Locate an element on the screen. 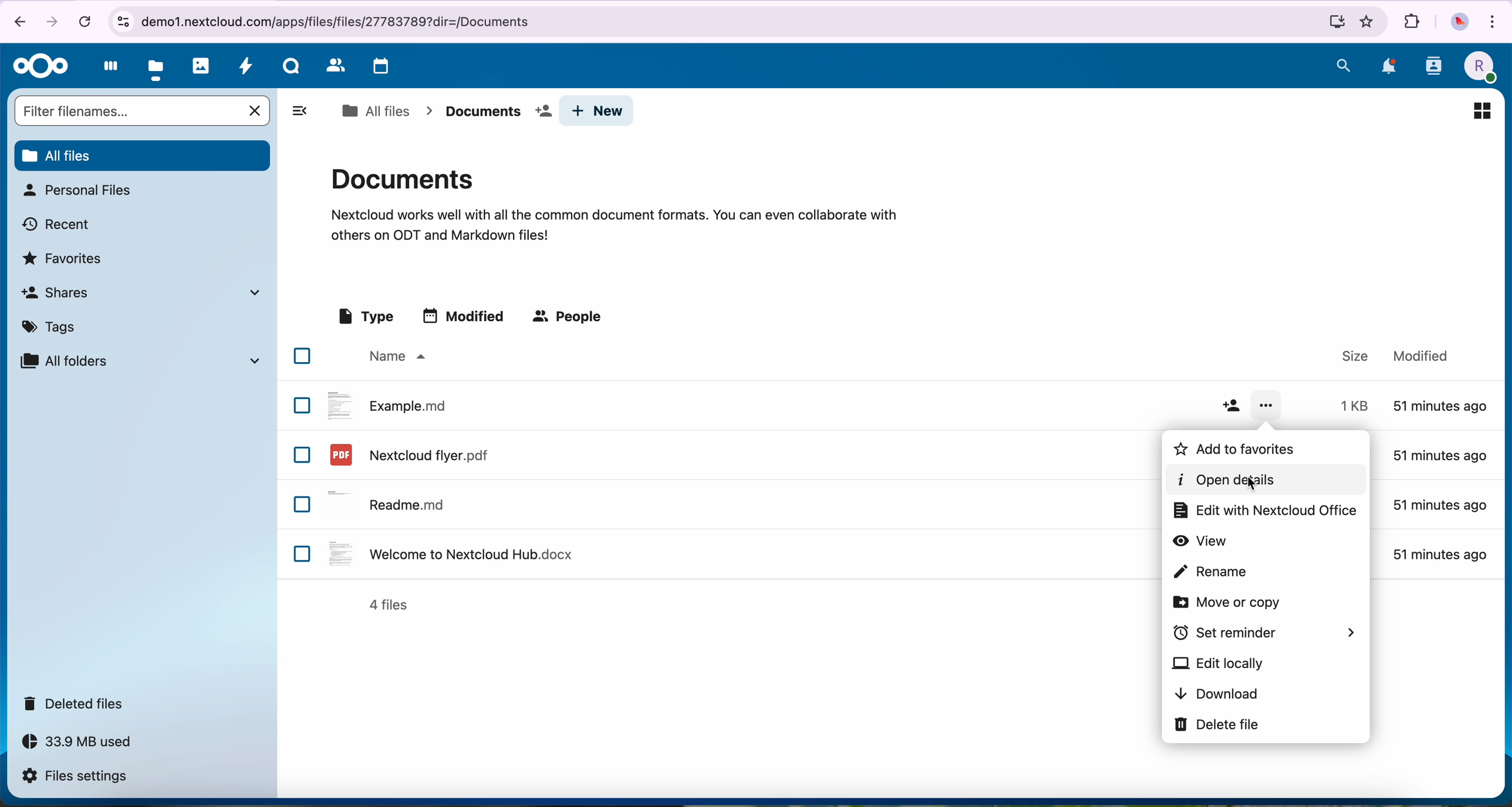  modified is located at coordinates (1418, 354).